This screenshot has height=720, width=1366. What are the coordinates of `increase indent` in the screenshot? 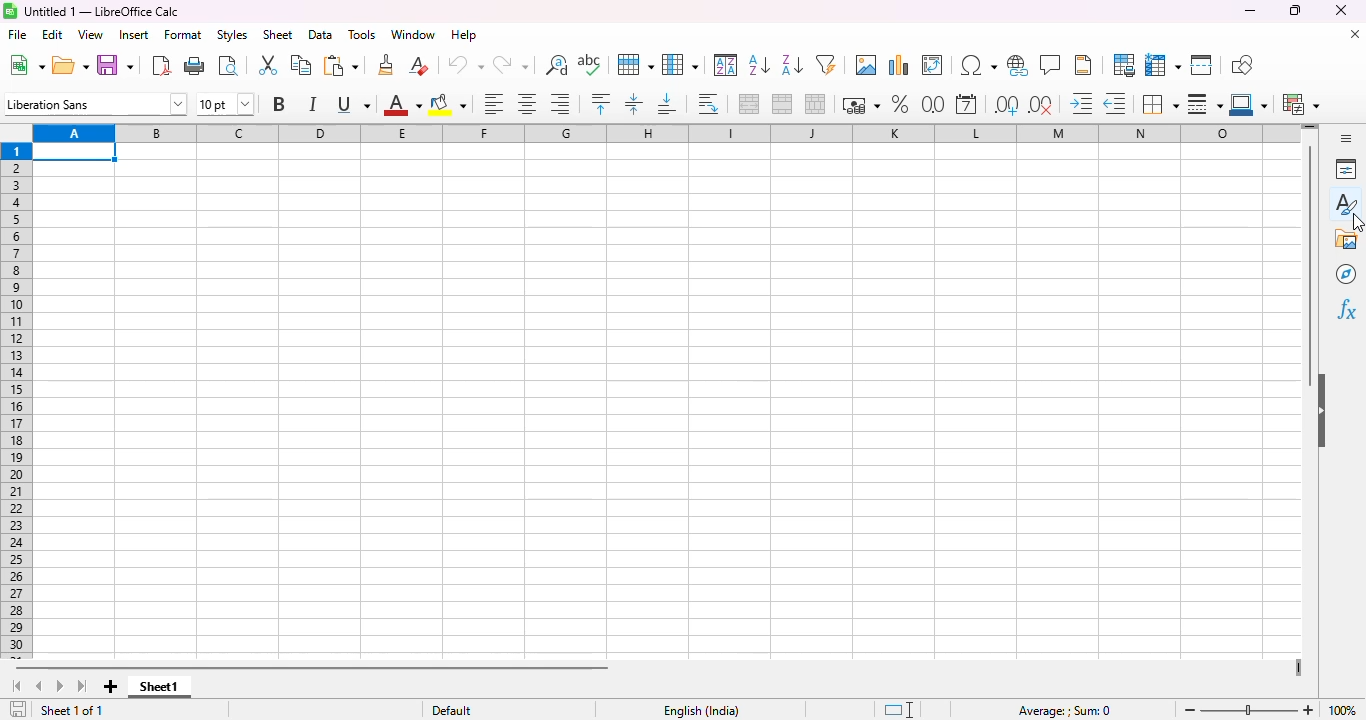 It's located at (1080, 103).